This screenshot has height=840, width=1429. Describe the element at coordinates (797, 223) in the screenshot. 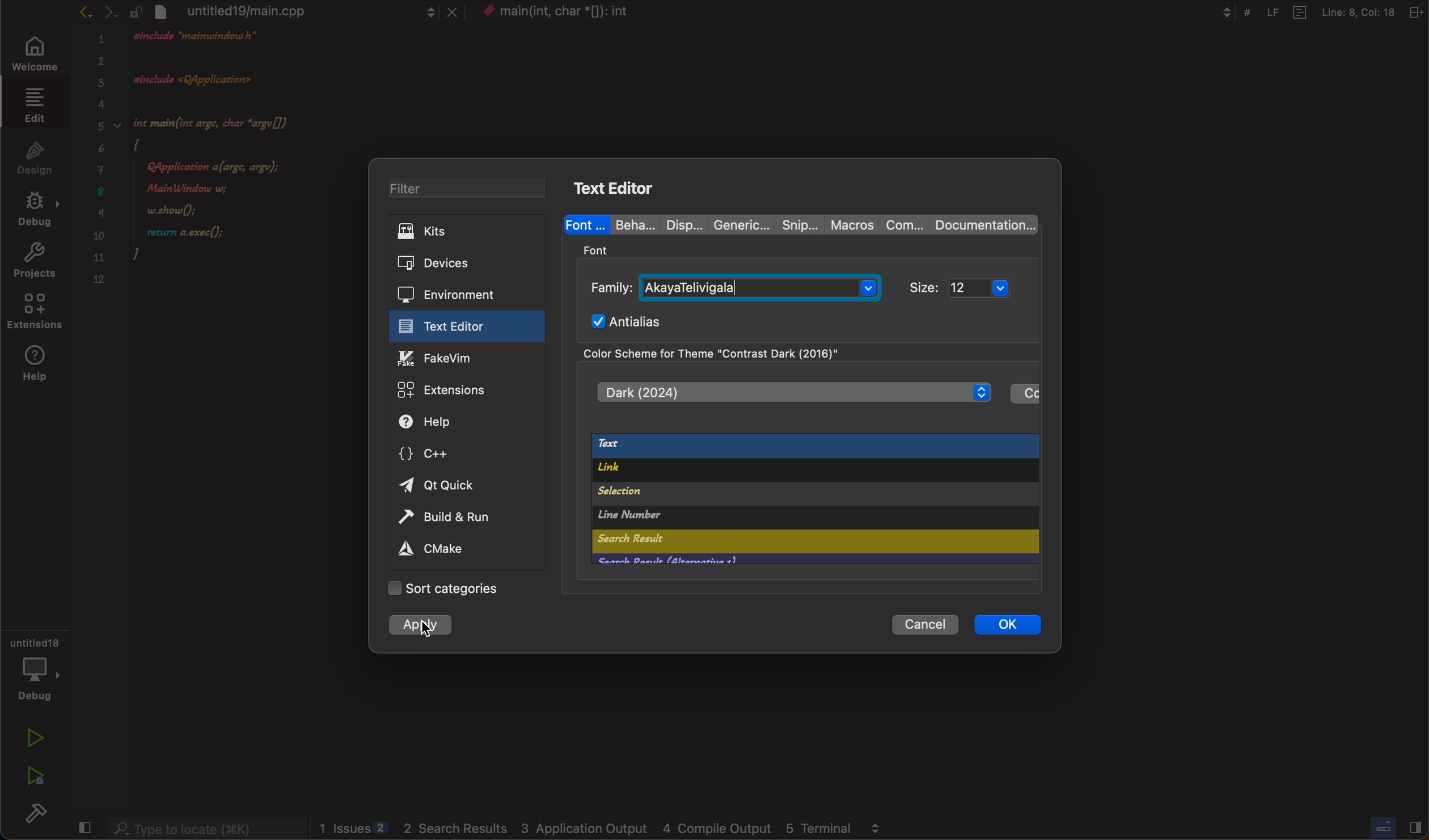

I see `snip` at that location.